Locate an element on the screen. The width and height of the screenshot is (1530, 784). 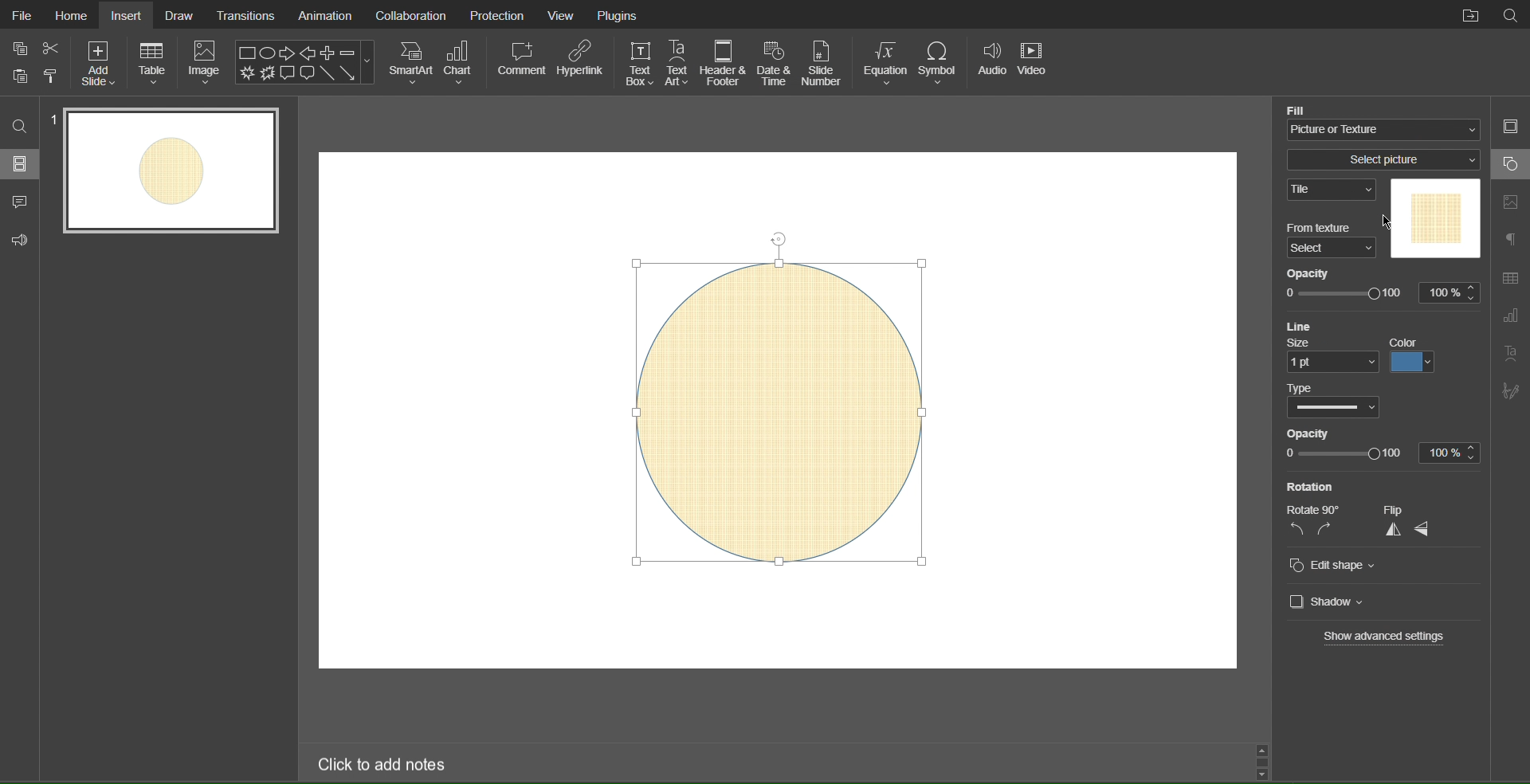
Insert is located at coordinates (127, 14).